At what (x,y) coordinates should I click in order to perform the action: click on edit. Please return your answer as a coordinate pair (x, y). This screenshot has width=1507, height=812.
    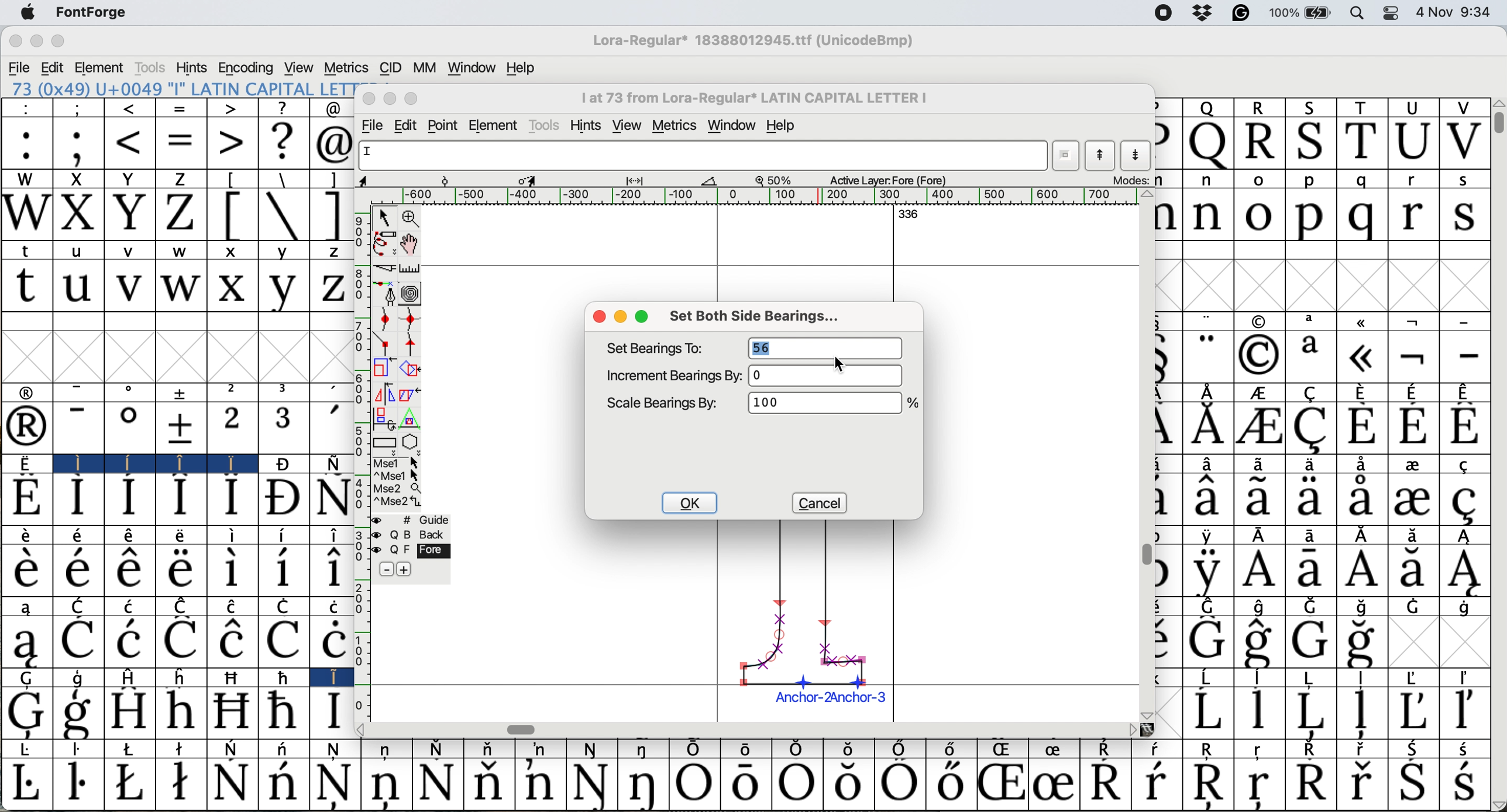
    Looking at the image, I should click on (408, 125).